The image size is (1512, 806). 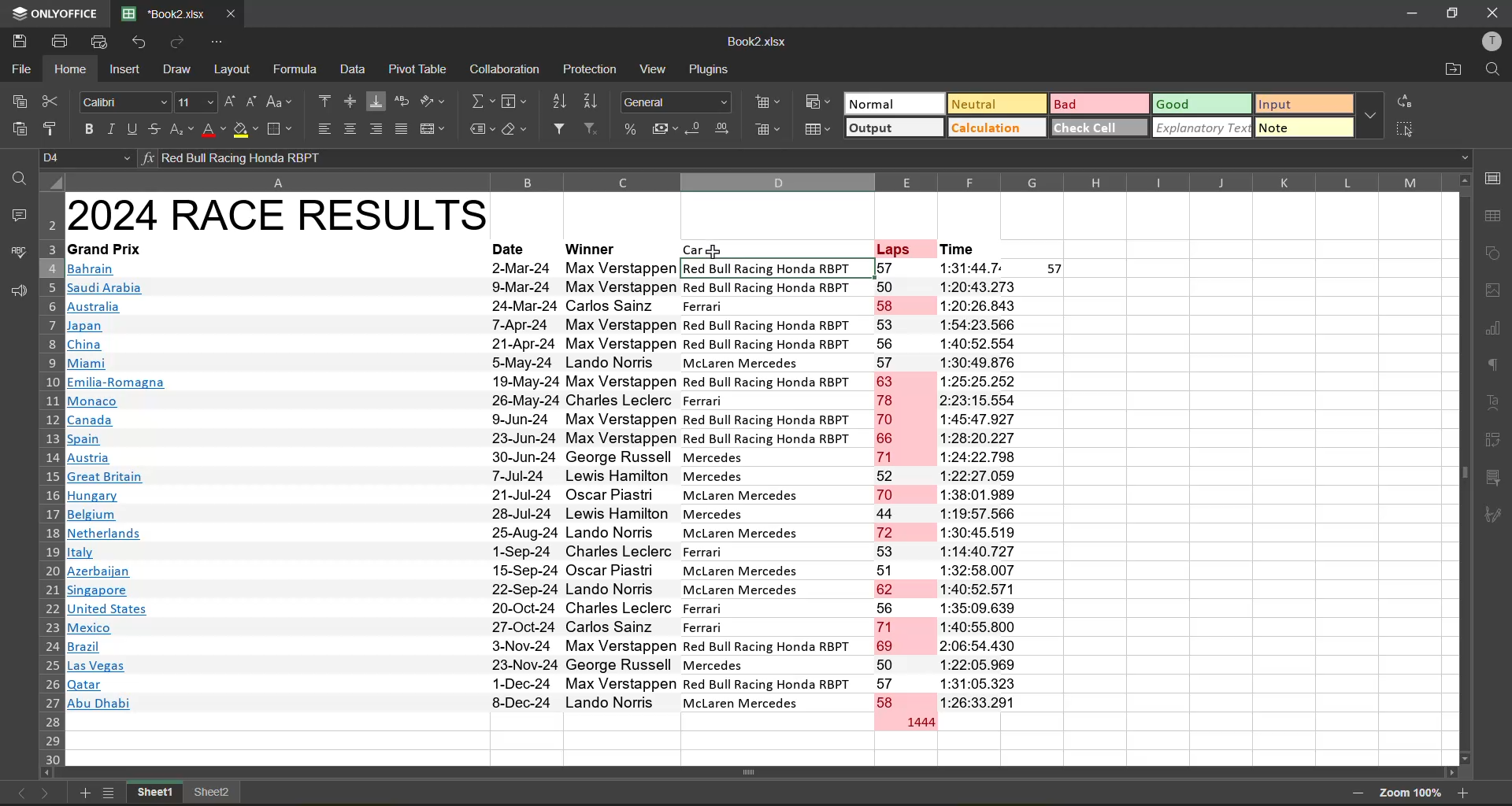 I want to click on find, so click(x=1493, y=71).